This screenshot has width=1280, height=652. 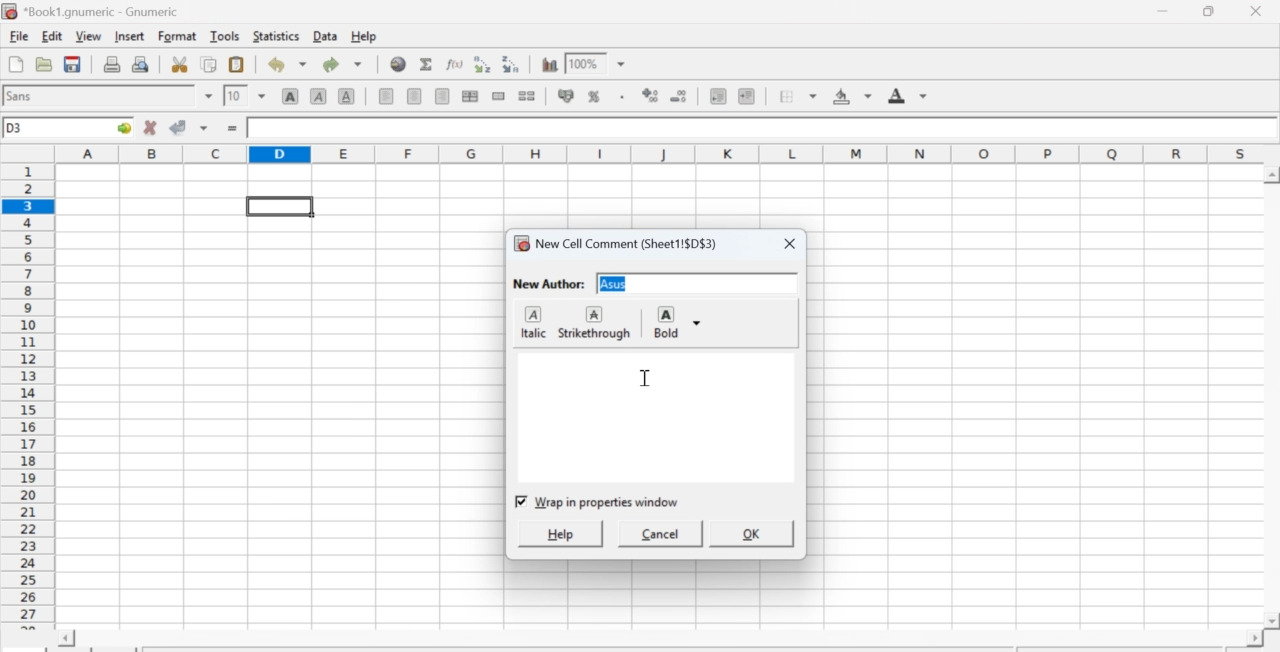 What do you see at coordinates (717, 96) in the screenshot?
I see `Decrease indent` at bounding box center [717, 96].